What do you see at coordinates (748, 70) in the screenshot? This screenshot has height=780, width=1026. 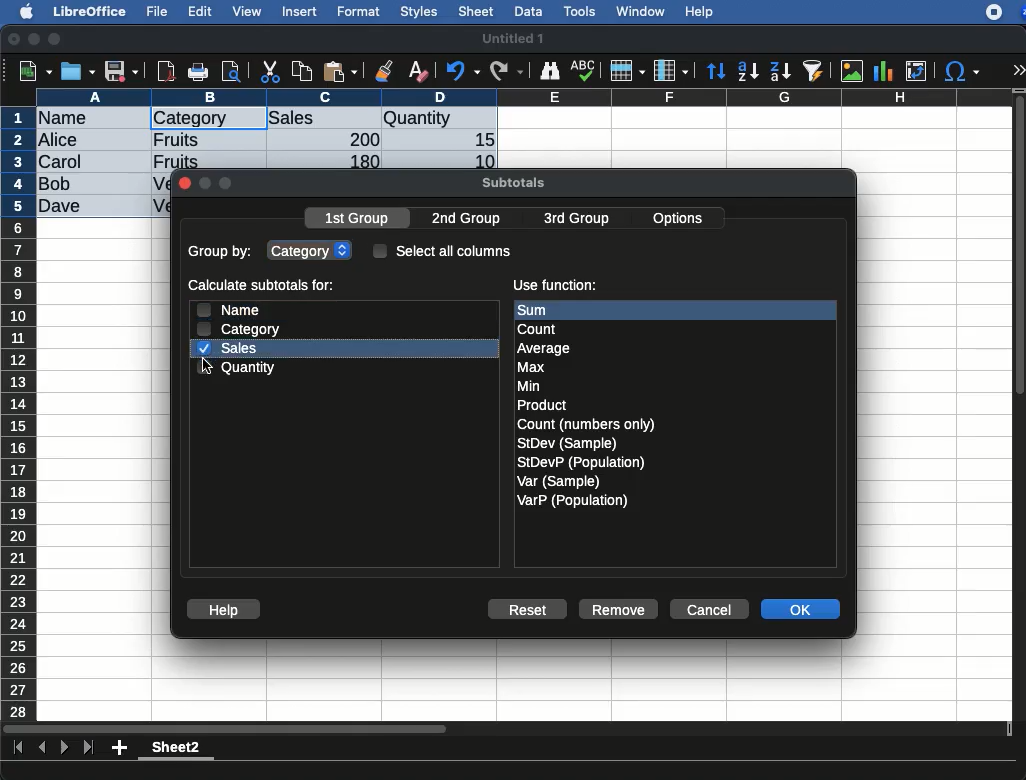 I see `ascending` at bounding box center [748, 70].